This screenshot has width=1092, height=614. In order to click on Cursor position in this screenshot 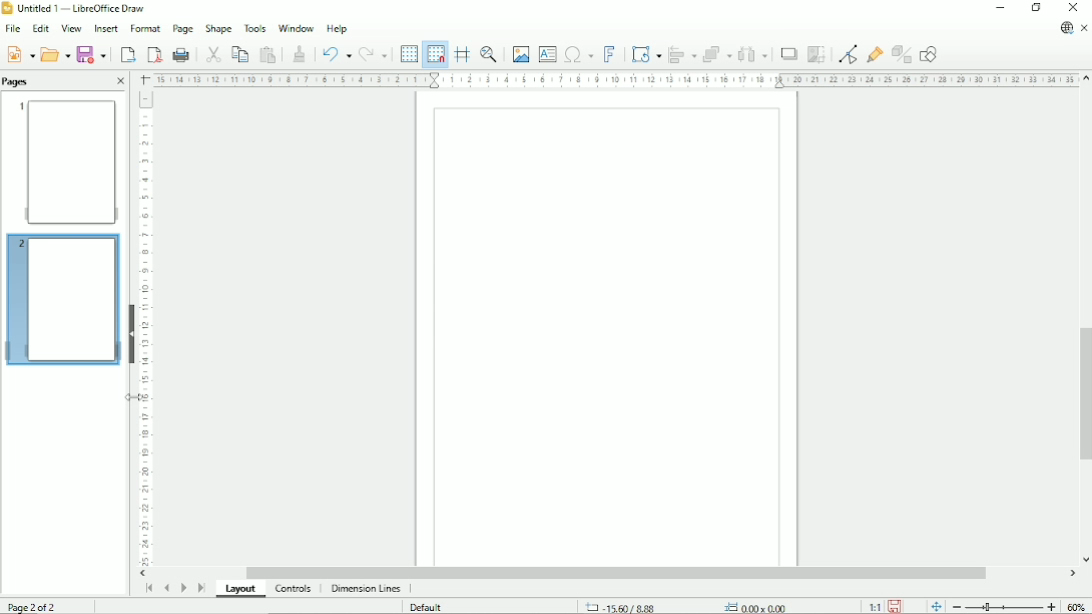, I will do `click(690, 606)`.